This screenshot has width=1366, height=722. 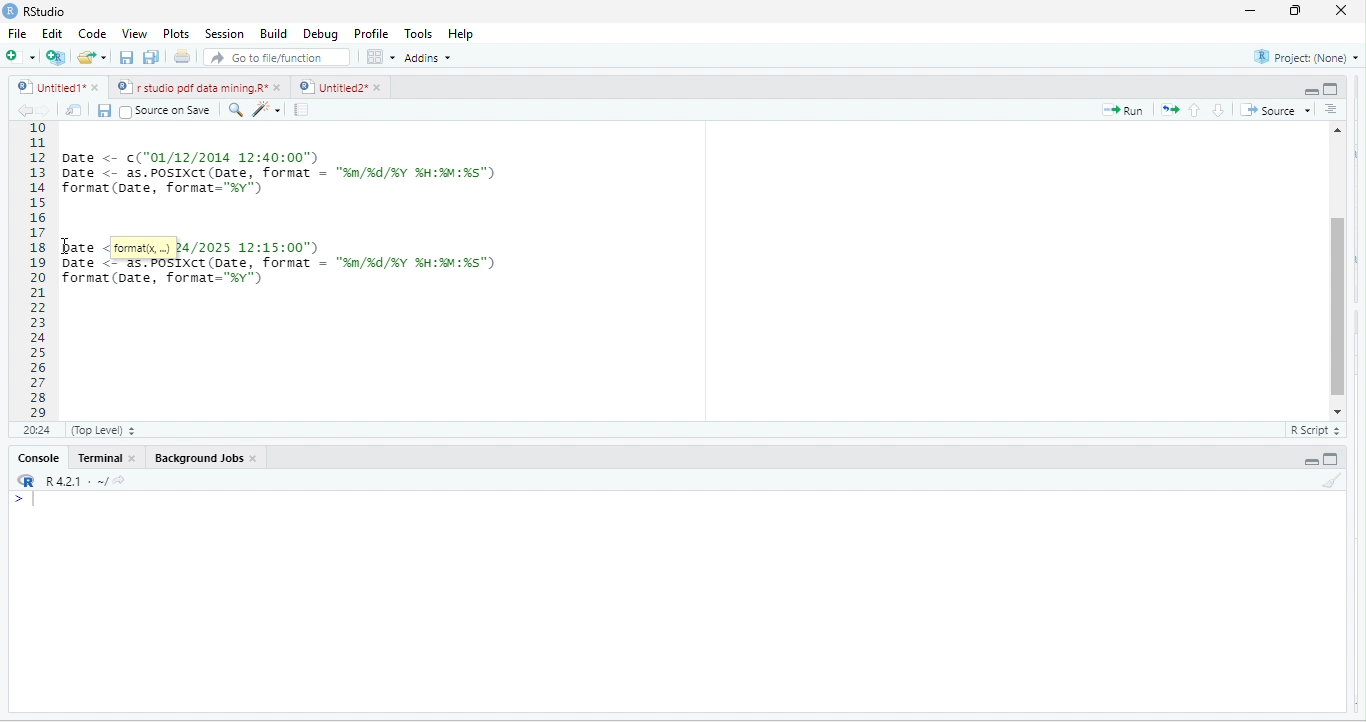 I want to click on hide console, so click(x=1334, y=458).